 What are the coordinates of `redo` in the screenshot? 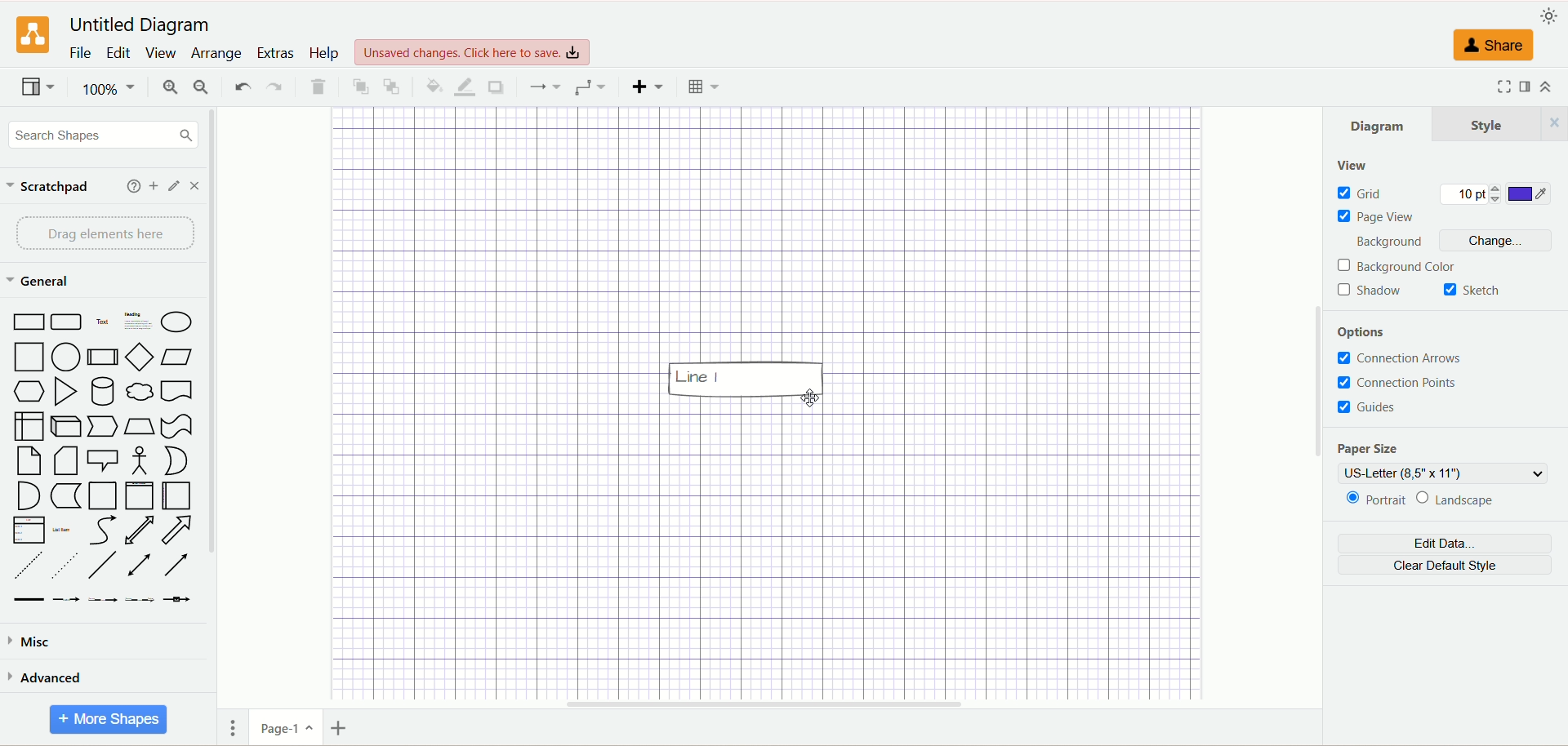 It's located at (274, 85).